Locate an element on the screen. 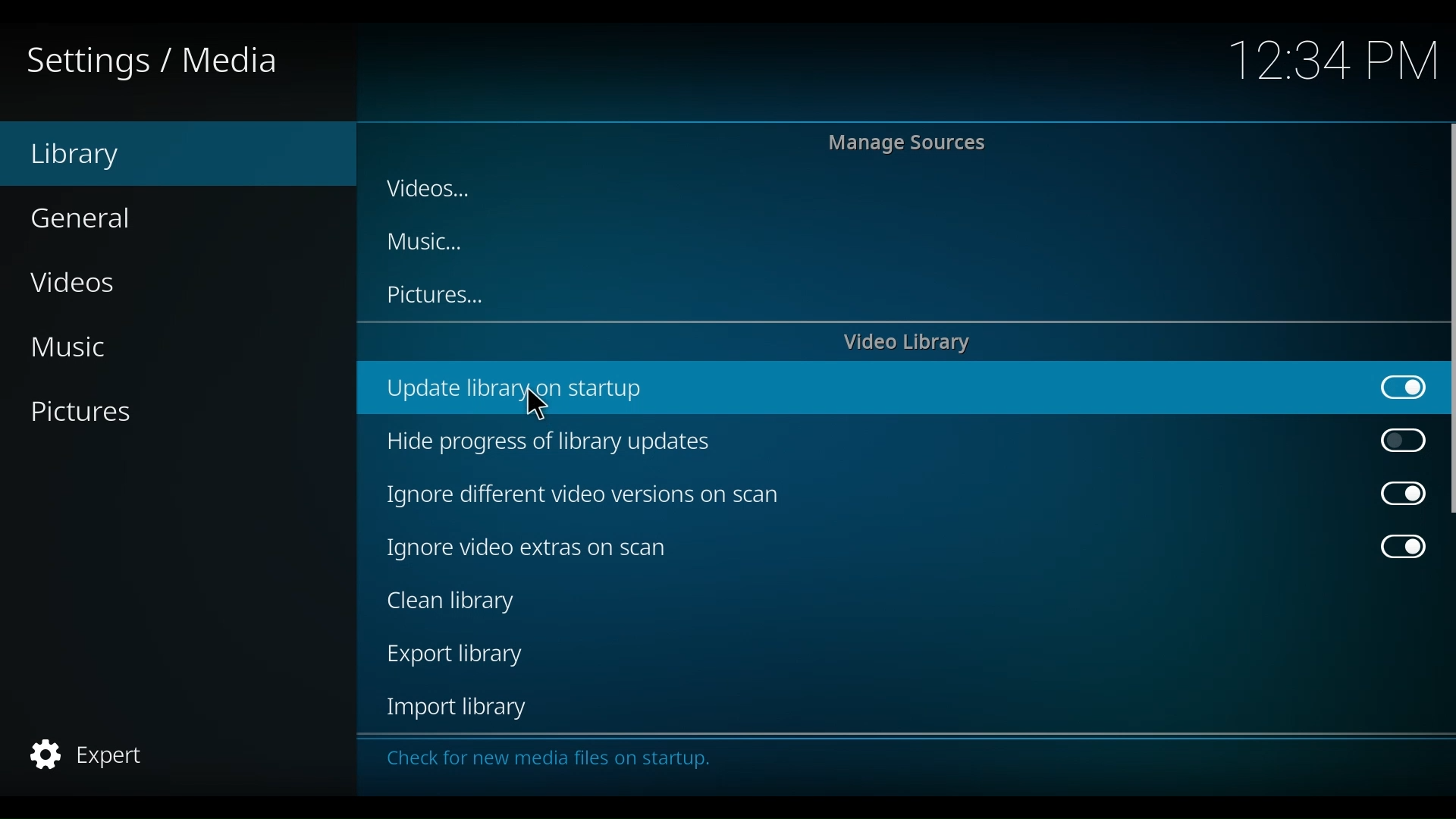 This screenshot has width=1456, height=819. cursor is located at coordinates (542, 403).